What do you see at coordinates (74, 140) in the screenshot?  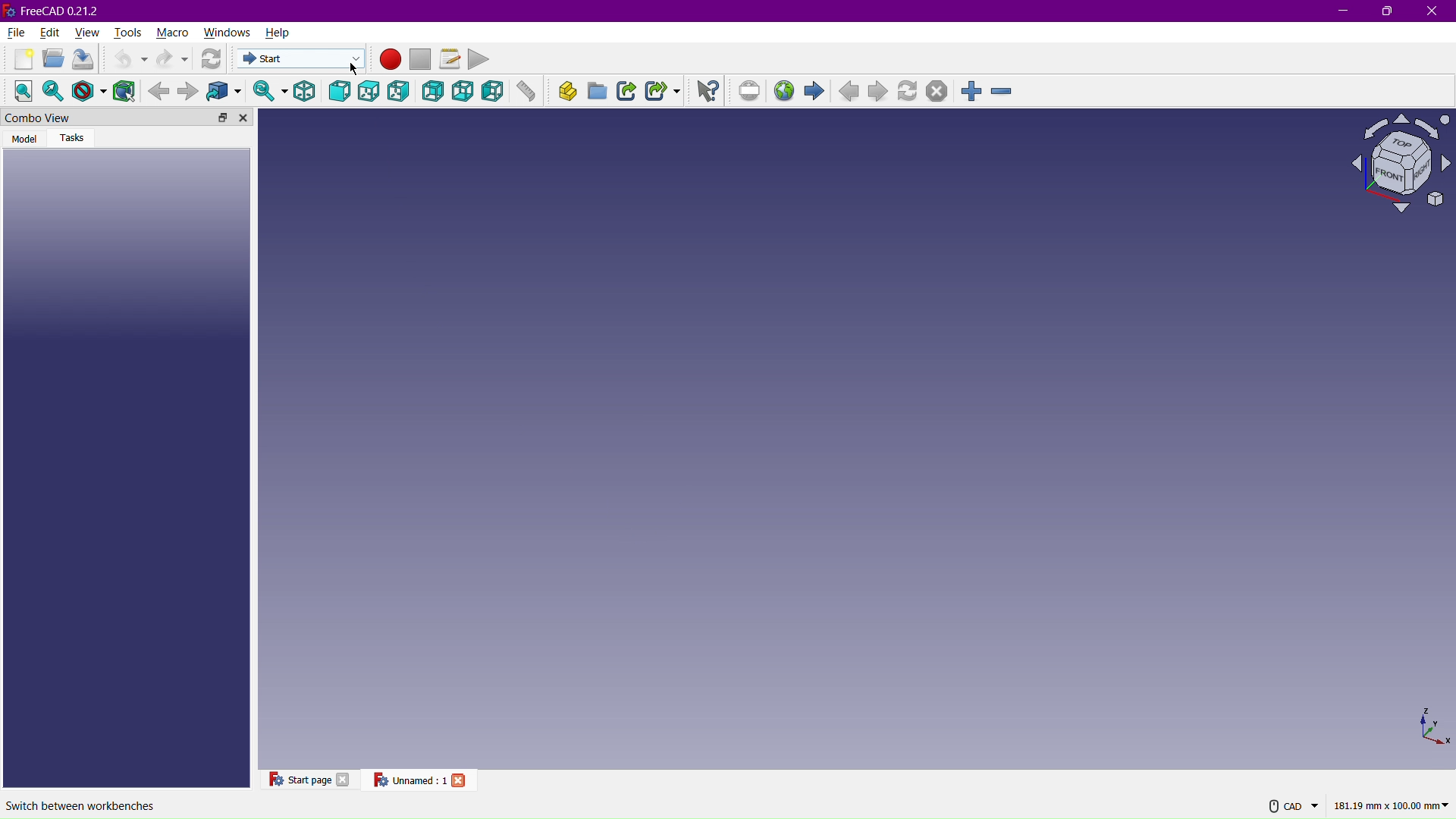 I see `Tasks` at bounding box center [74, 140].